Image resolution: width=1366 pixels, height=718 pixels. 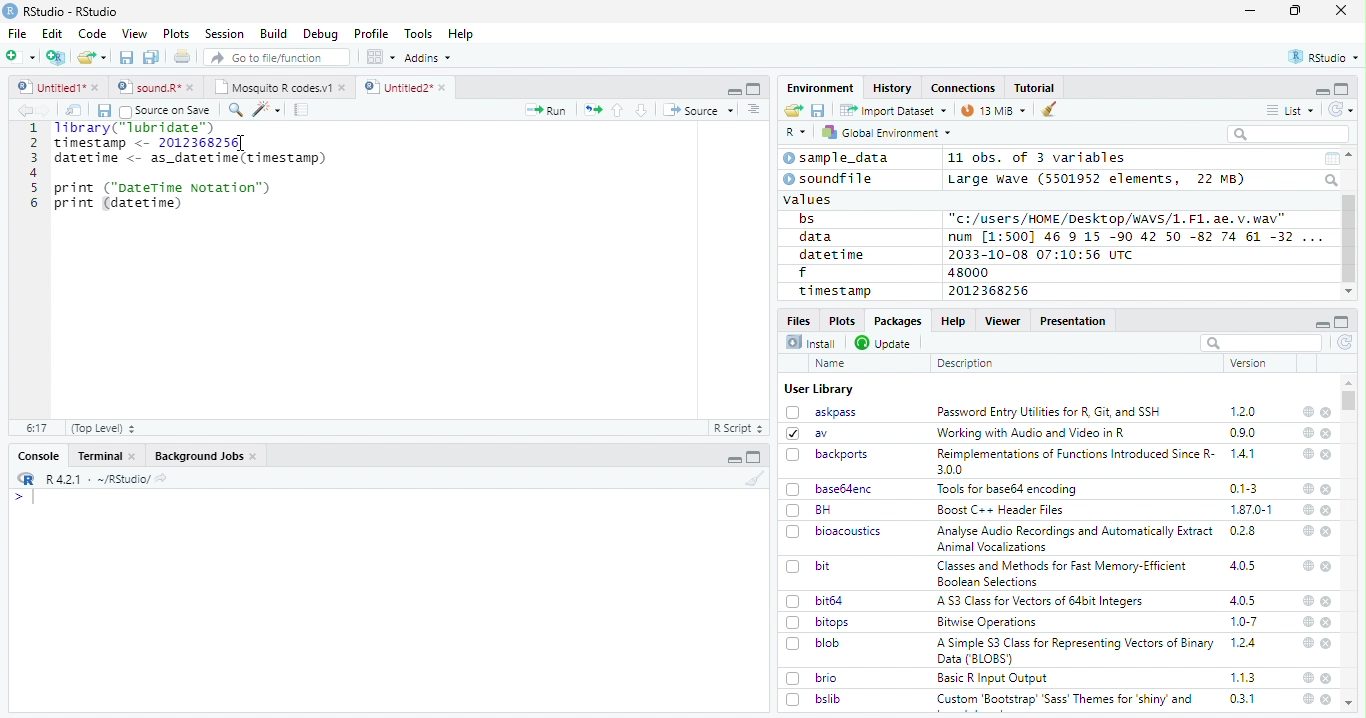 What do you see at coordinates (1033, 433) in the screenshot?
I see `‘Working with Audio and Video inR` at bounding box center [1033, 433].